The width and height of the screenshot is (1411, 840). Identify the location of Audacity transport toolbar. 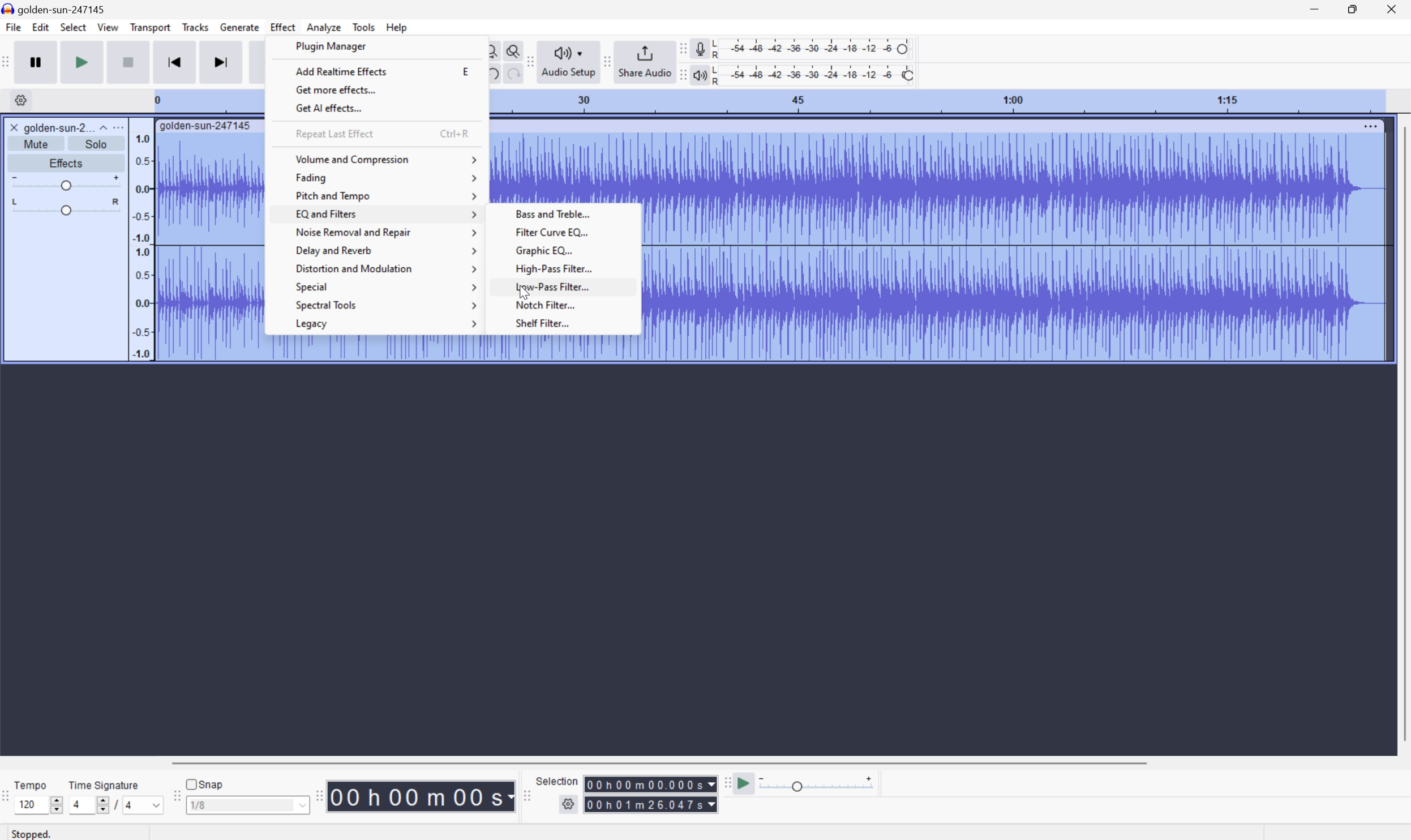
(9, 60).